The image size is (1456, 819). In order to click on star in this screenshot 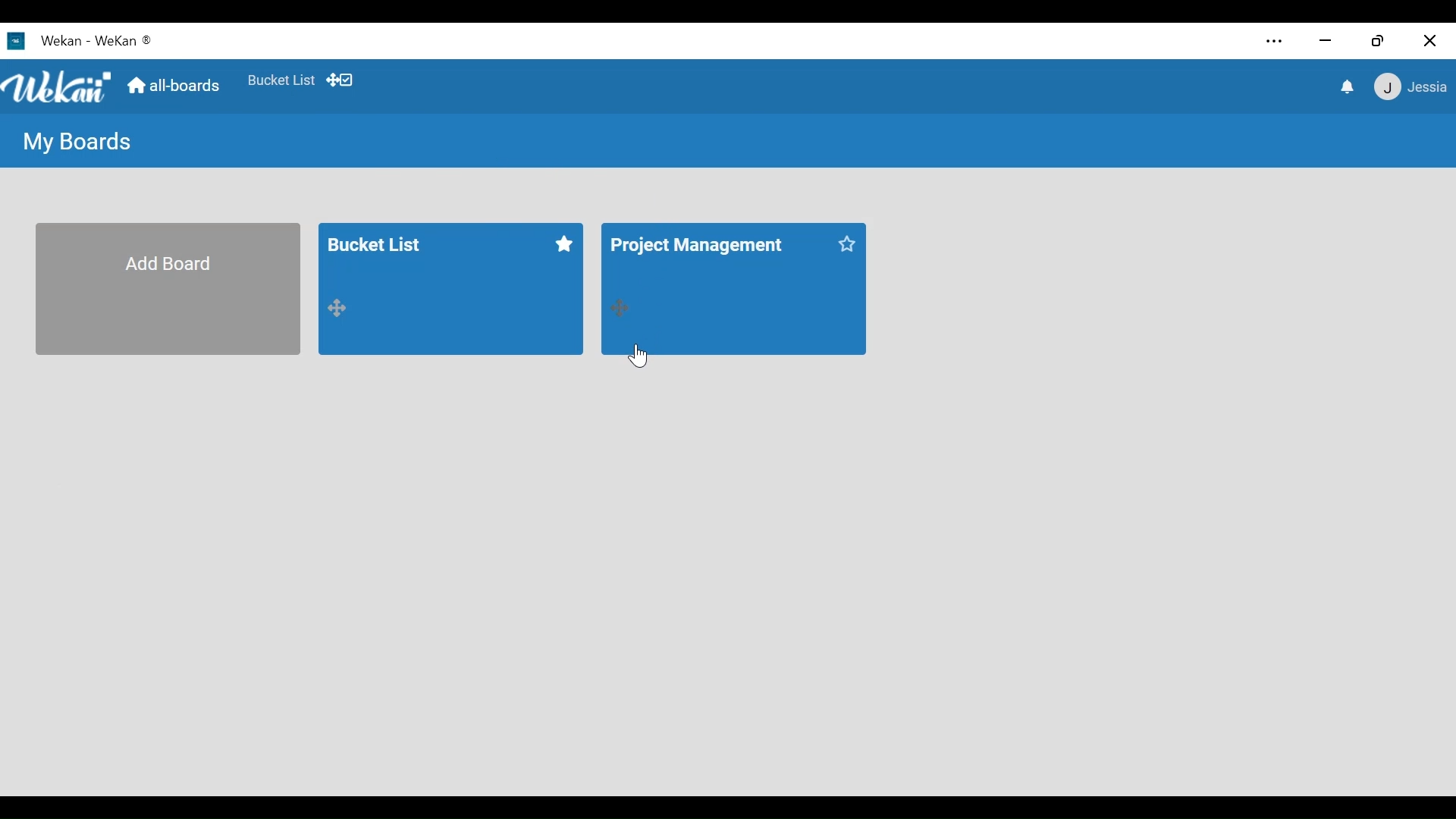, I will do `click(844, 245)`.